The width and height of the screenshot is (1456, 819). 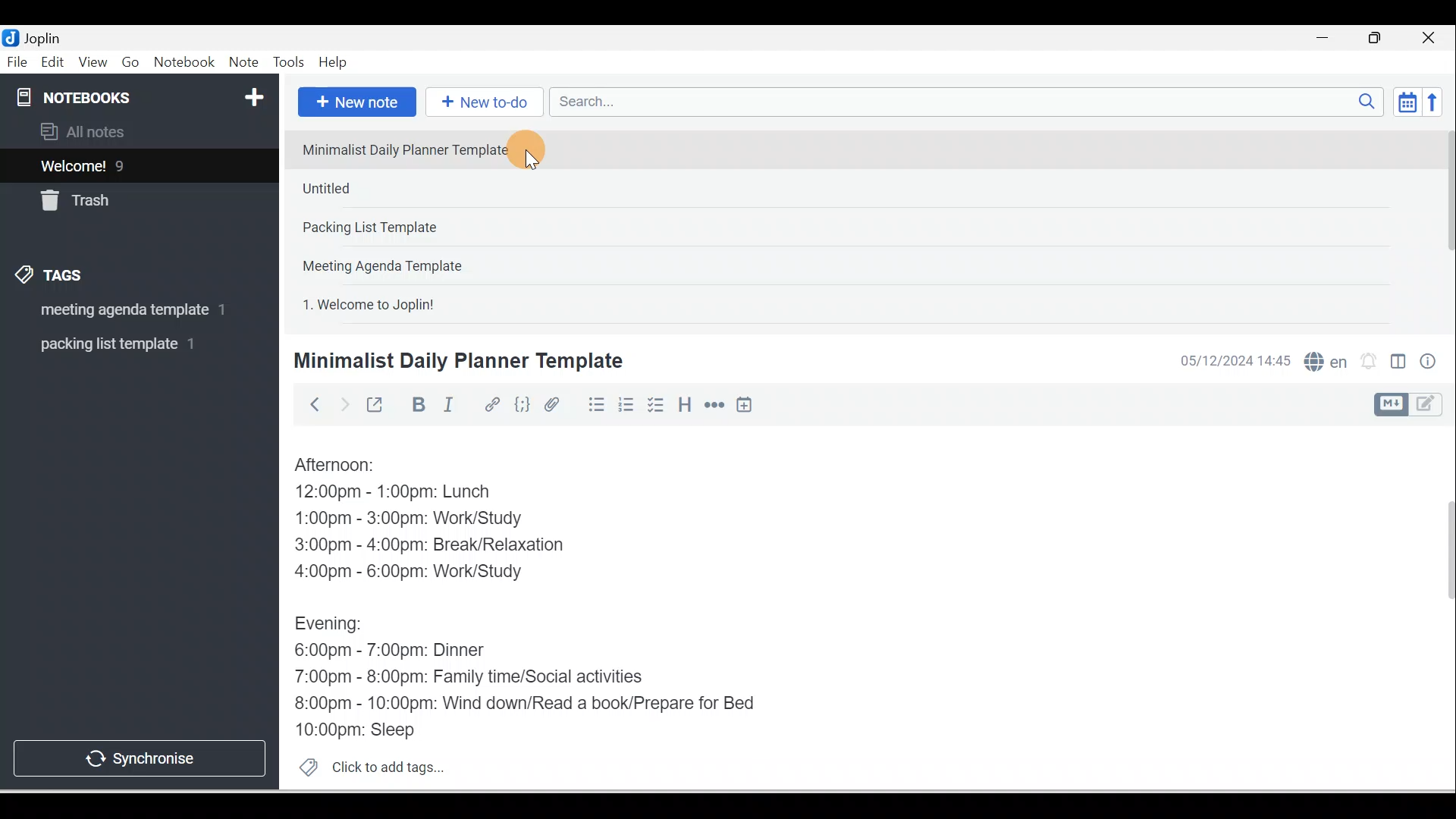 I want to click on Code, so click(x=522, y=406).